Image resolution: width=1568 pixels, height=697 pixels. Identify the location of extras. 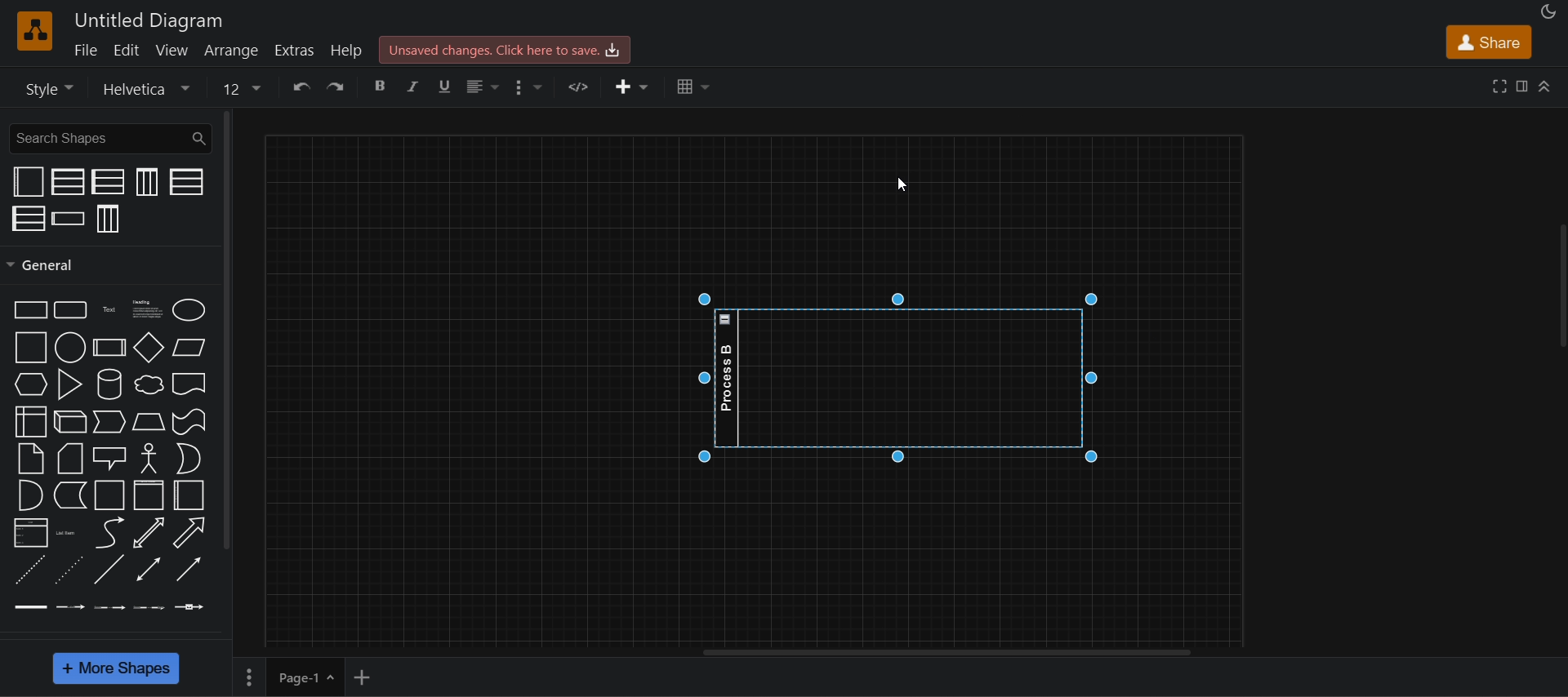
(297, 51).